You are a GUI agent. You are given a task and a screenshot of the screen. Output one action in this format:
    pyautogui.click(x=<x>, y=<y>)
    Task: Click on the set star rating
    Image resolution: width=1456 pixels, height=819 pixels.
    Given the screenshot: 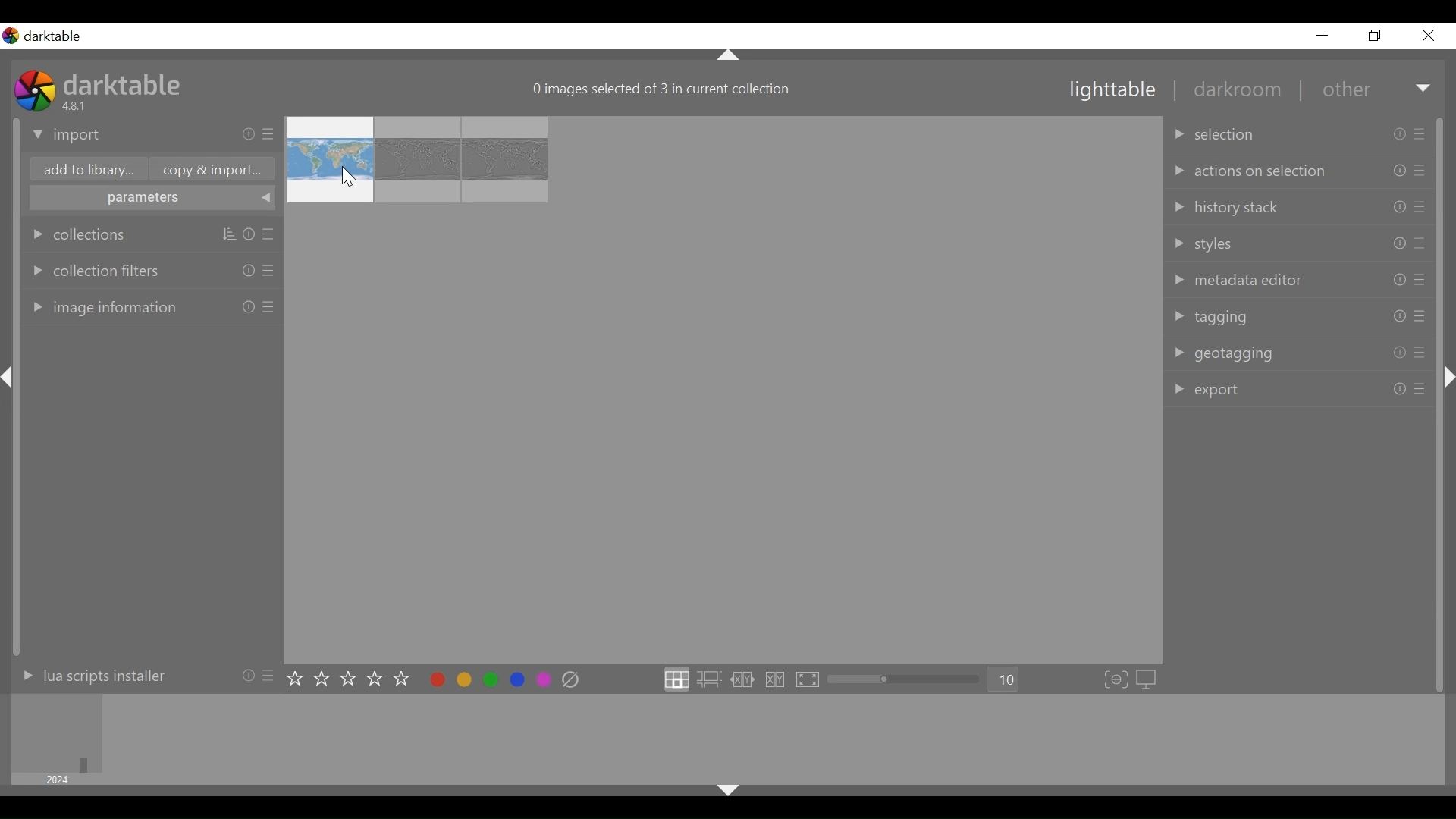 What is the action you would take?
    pyautogui.click(x=351, y=679)
    